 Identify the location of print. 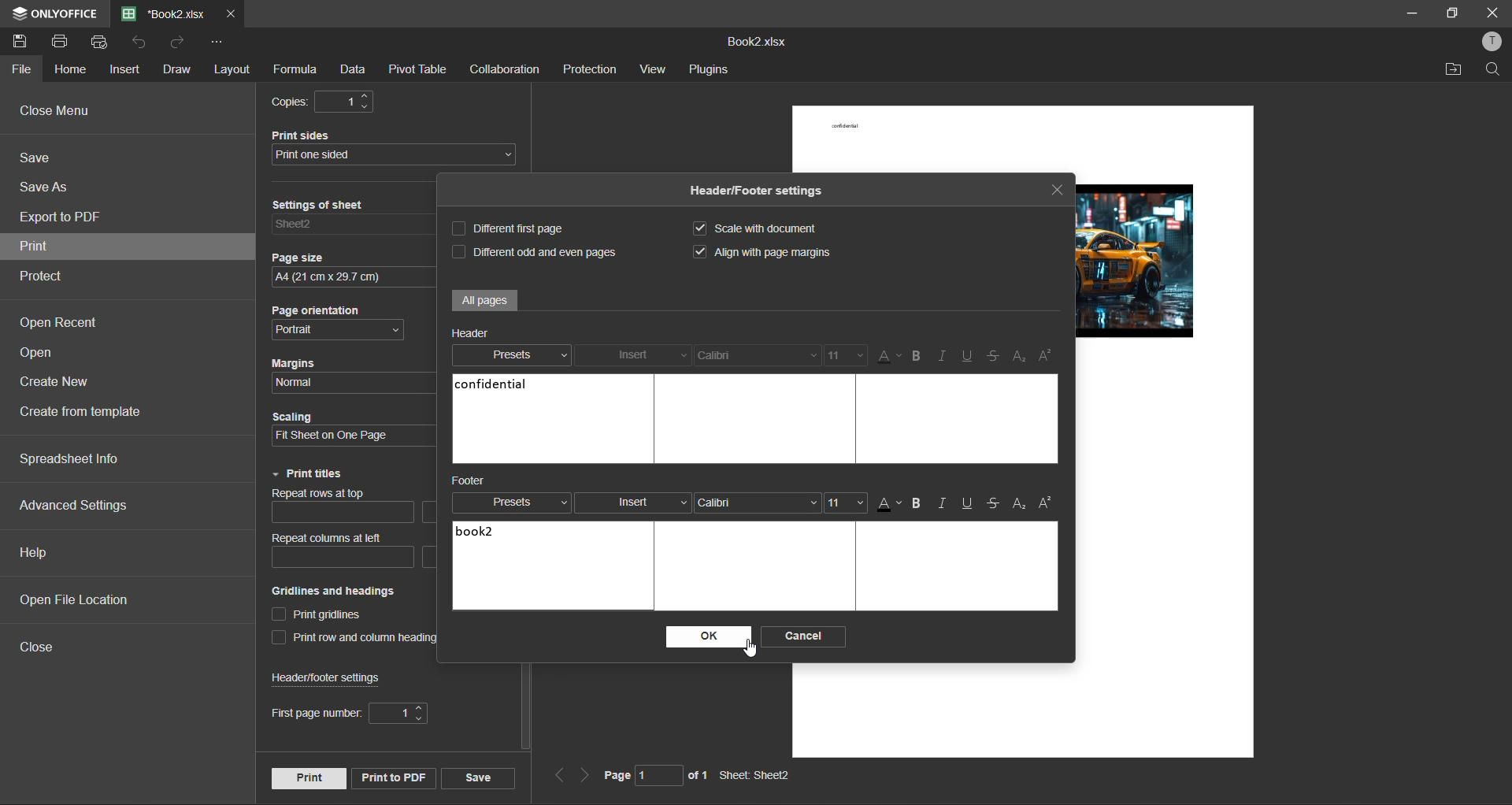
(64, 40).